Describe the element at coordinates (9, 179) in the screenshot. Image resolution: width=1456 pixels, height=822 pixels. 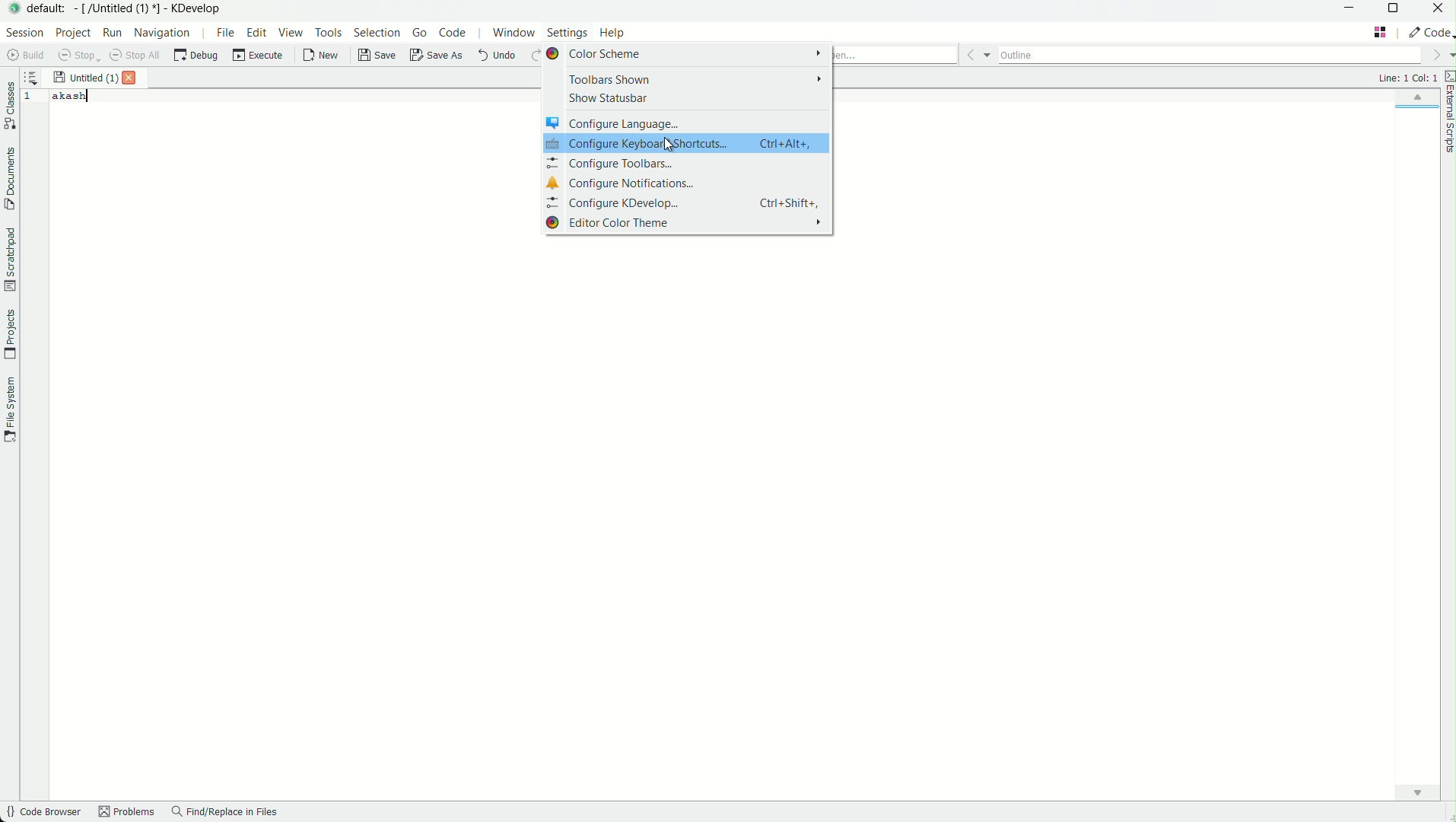
I see `documents` at that location.